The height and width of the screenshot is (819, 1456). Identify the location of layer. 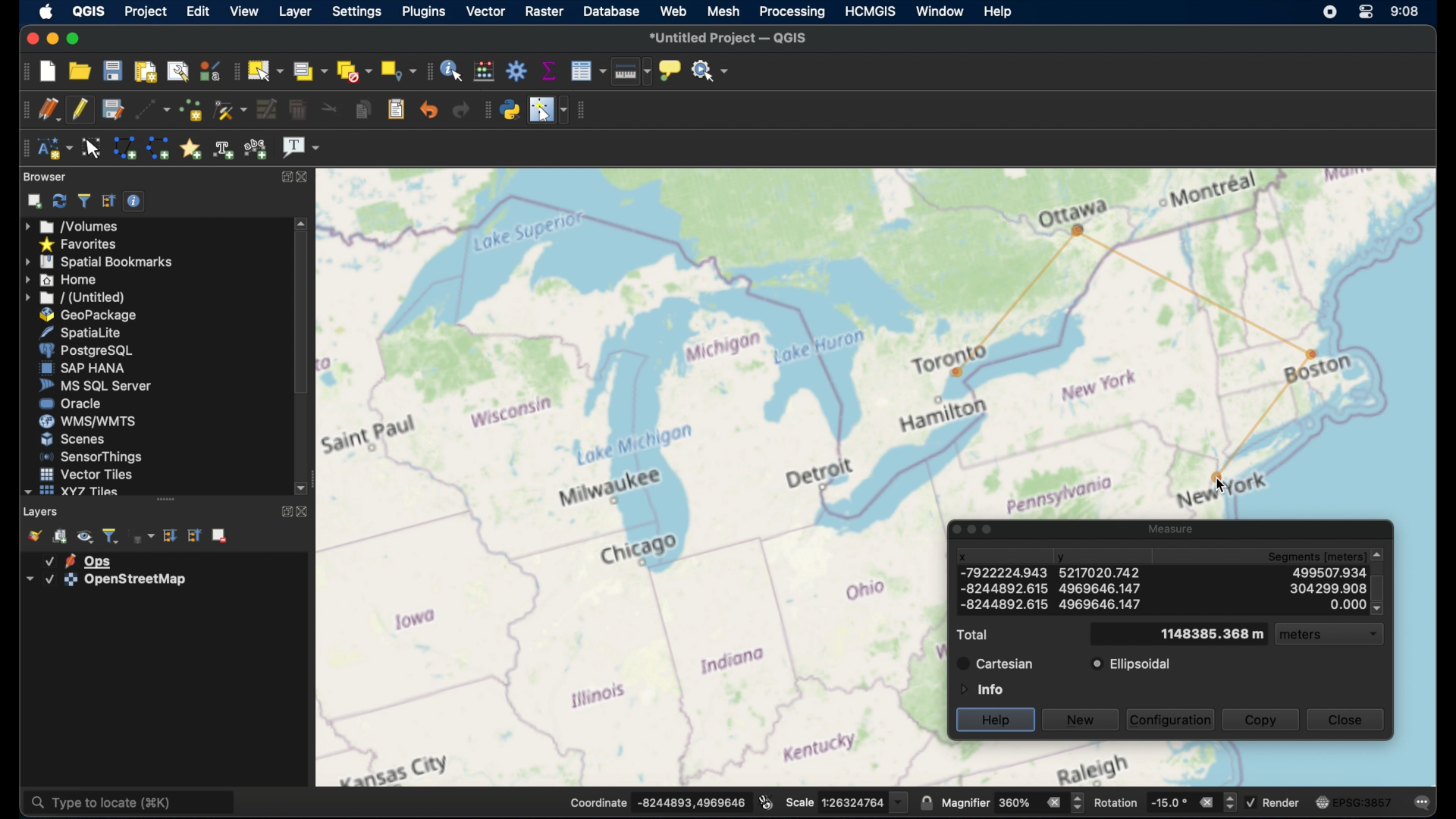
(79, 560).